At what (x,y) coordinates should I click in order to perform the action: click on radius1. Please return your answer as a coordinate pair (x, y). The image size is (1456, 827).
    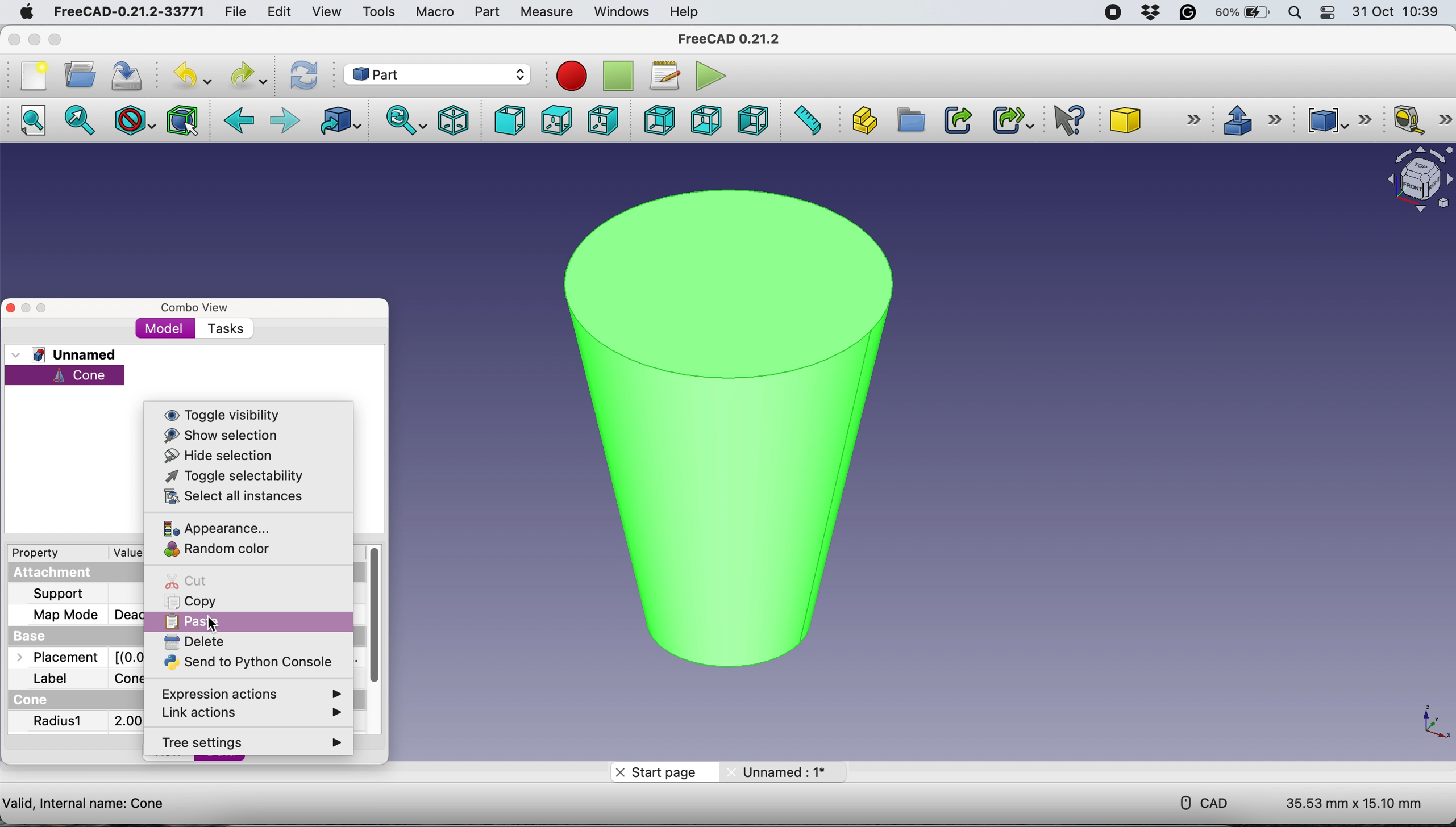
    Looking at the image, I should click on (59, 723).